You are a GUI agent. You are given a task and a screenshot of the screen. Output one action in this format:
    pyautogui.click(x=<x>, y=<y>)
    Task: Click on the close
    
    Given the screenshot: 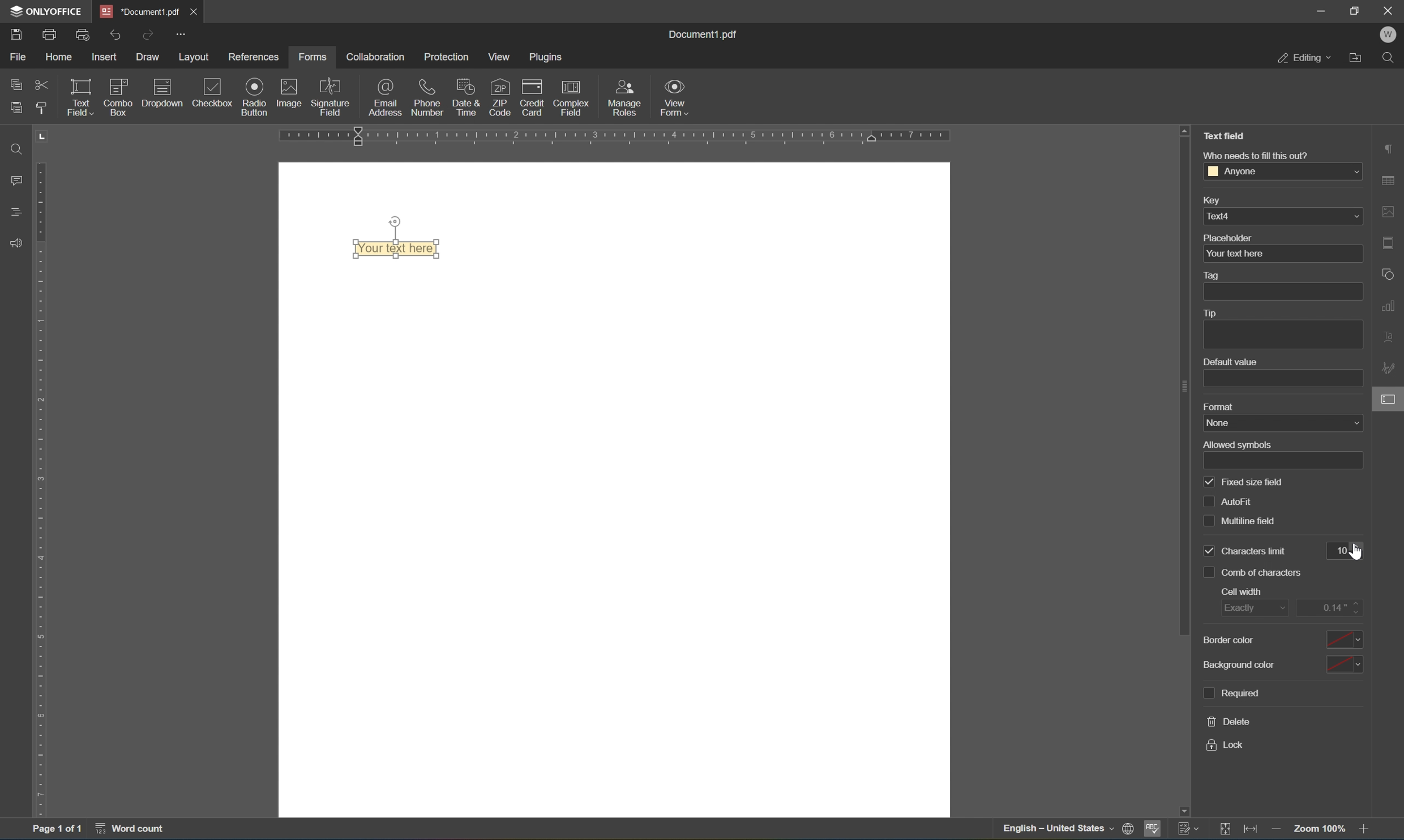 What is the action you would take?
    pyautogui.click(x=1389, y=9)
    